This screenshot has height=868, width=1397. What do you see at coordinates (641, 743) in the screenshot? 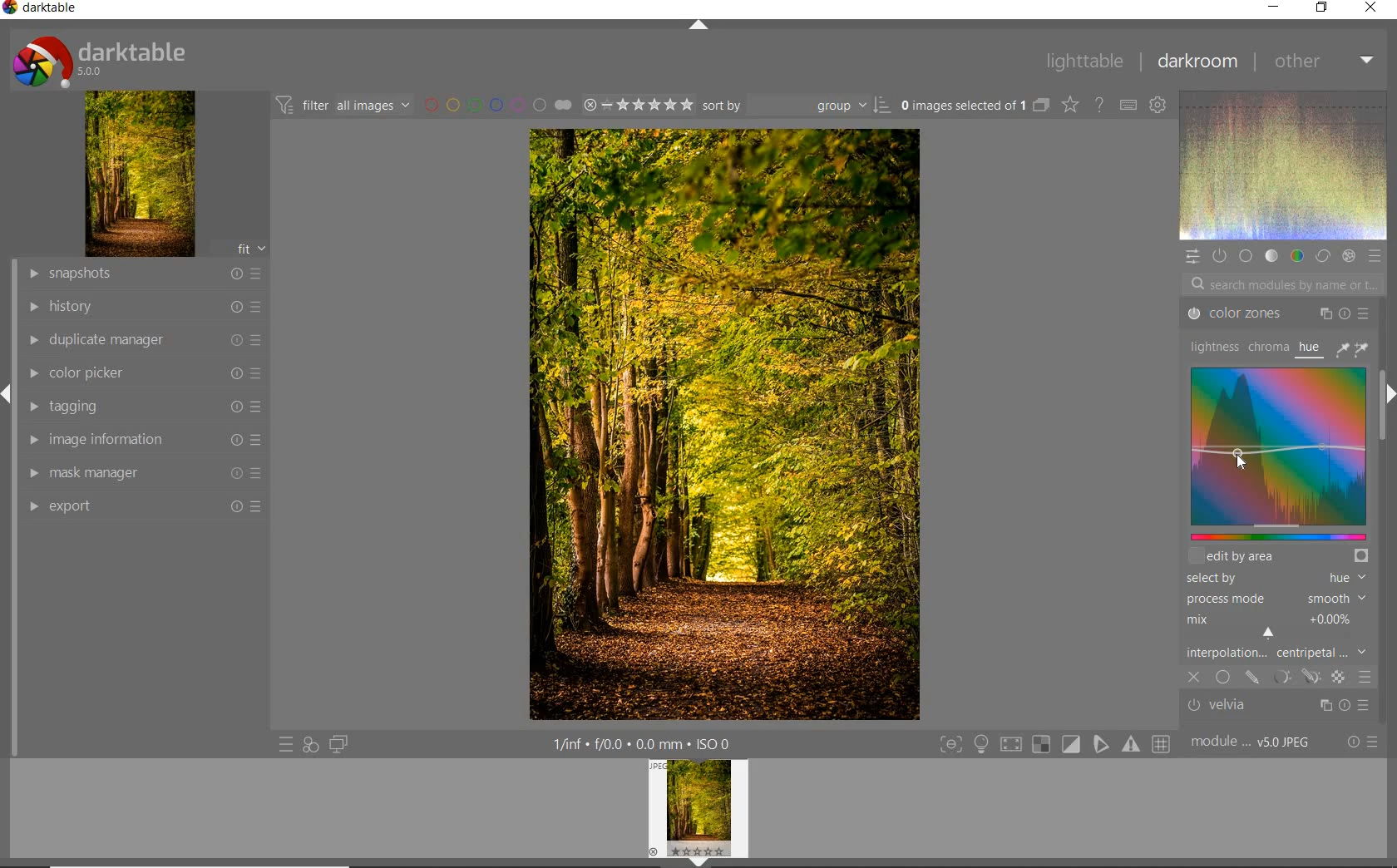
I see `OTHER INTERFACE DETAILS` at bounding box center [641, 743].